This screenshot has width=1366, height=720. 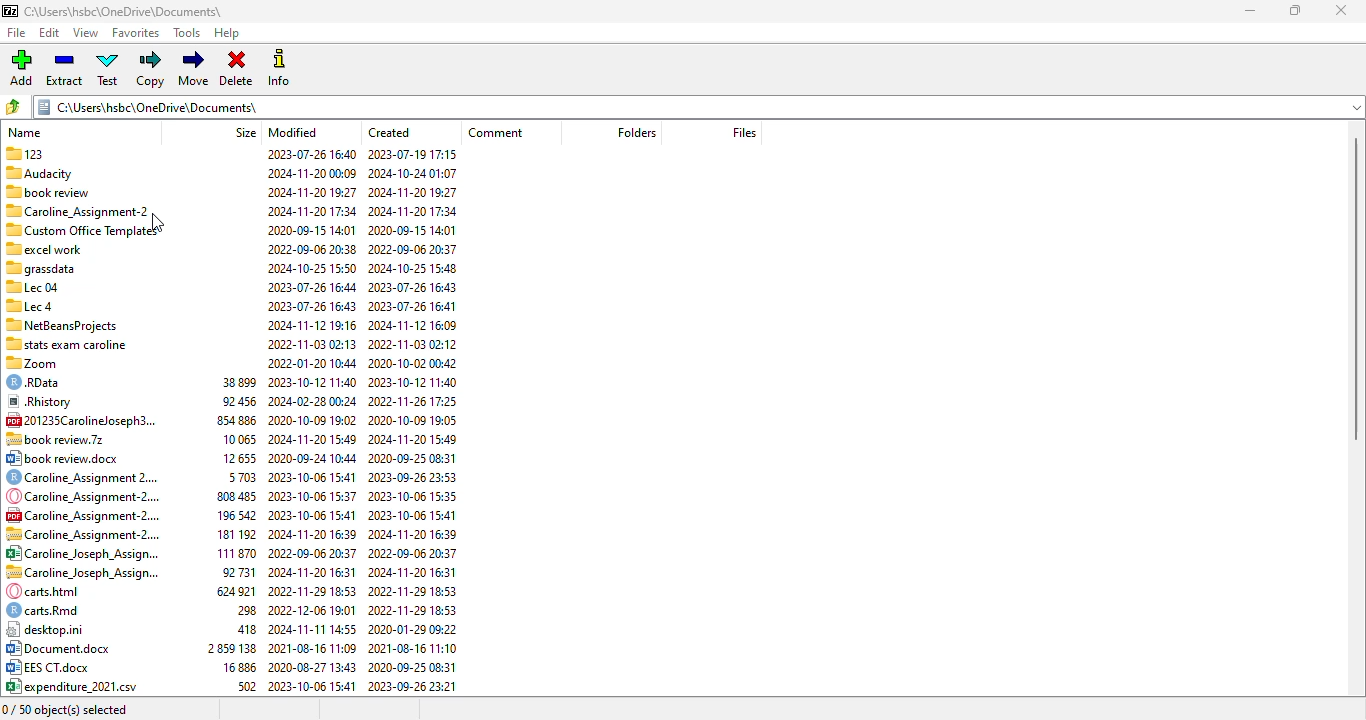 I want to click on favorites, so click(x=137, y=32).